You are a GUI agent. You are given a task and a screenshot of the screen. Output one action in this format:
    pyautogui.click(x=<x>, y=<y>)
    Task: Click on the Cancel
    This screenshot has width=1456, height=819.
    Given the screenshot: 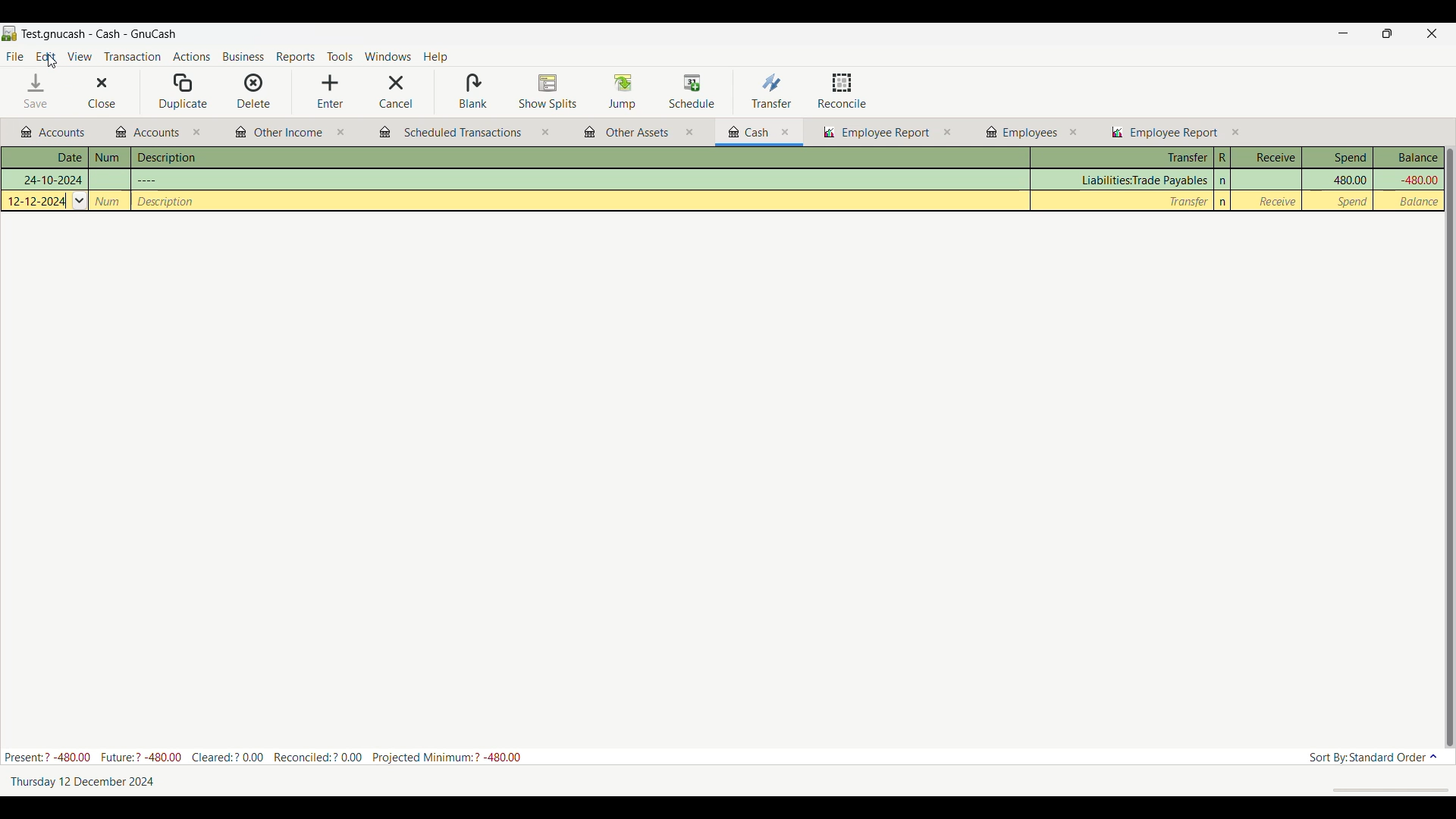 What is the action you would take?
    pyautogui.click(x=398, y=92)
    